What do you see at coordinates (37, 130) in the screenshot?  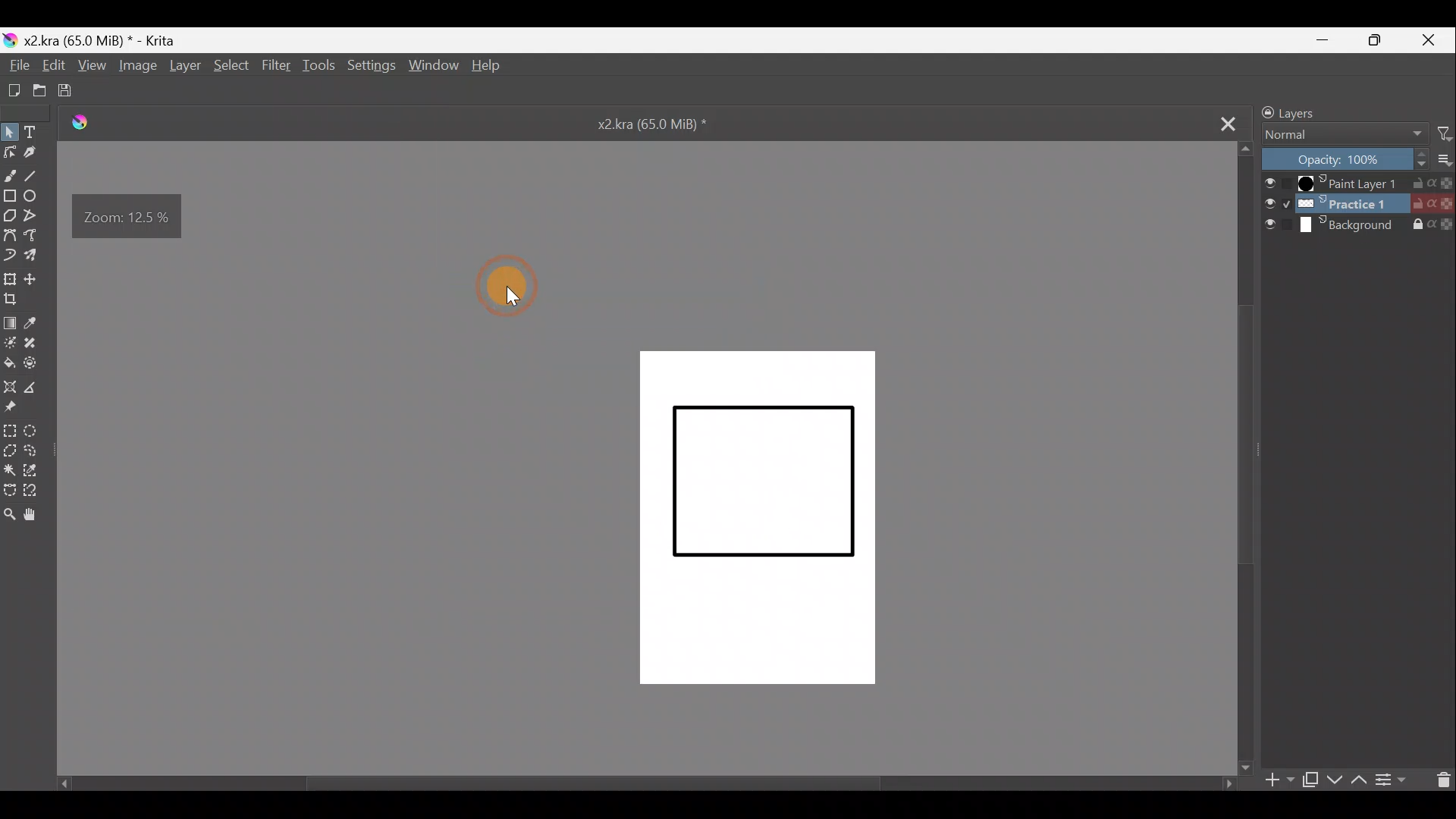 I see `Text tool` at bounding box center [37, 130].